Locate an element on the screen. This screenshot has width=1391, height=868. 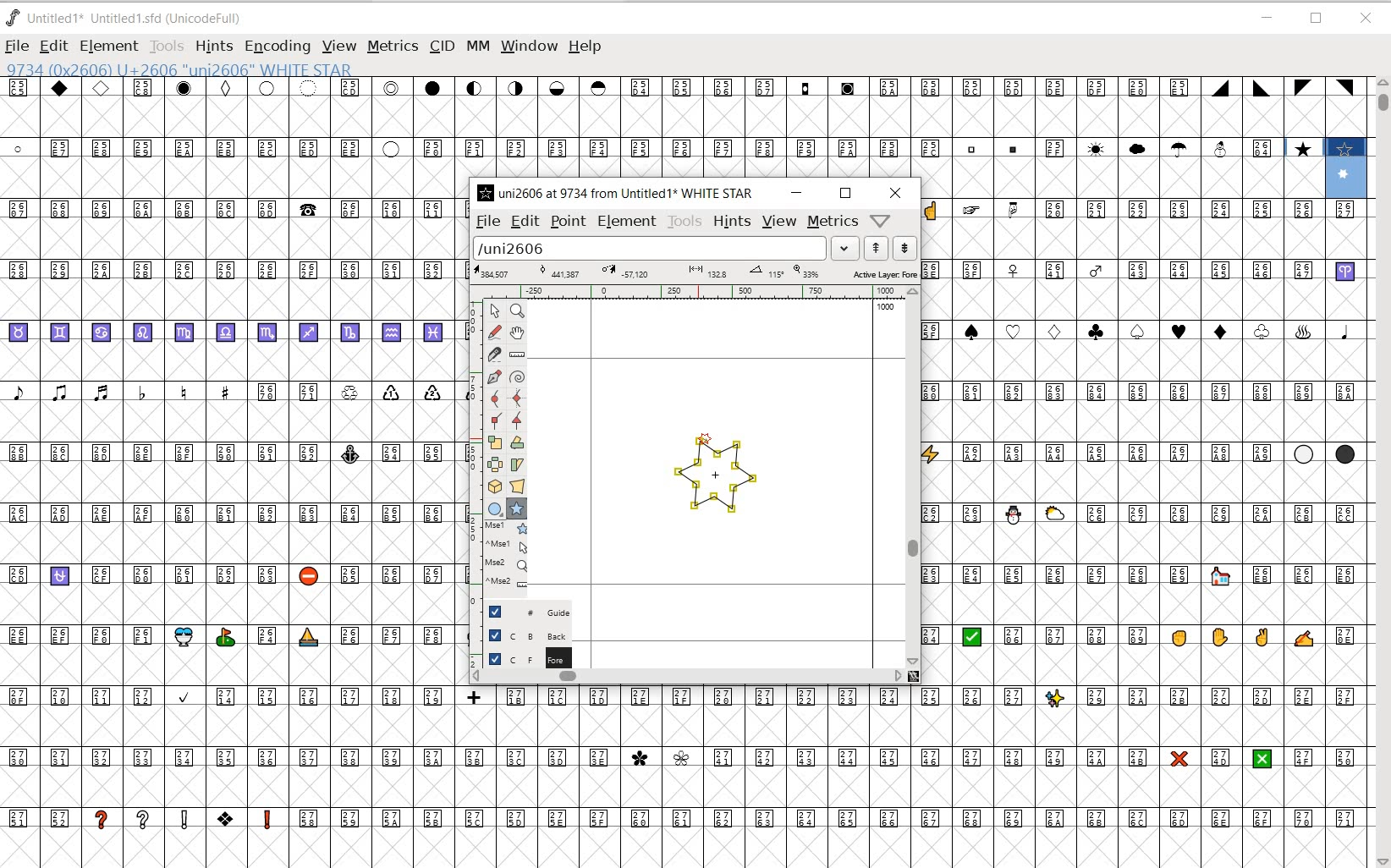
CURSOR is located at coordinates (879, 64).